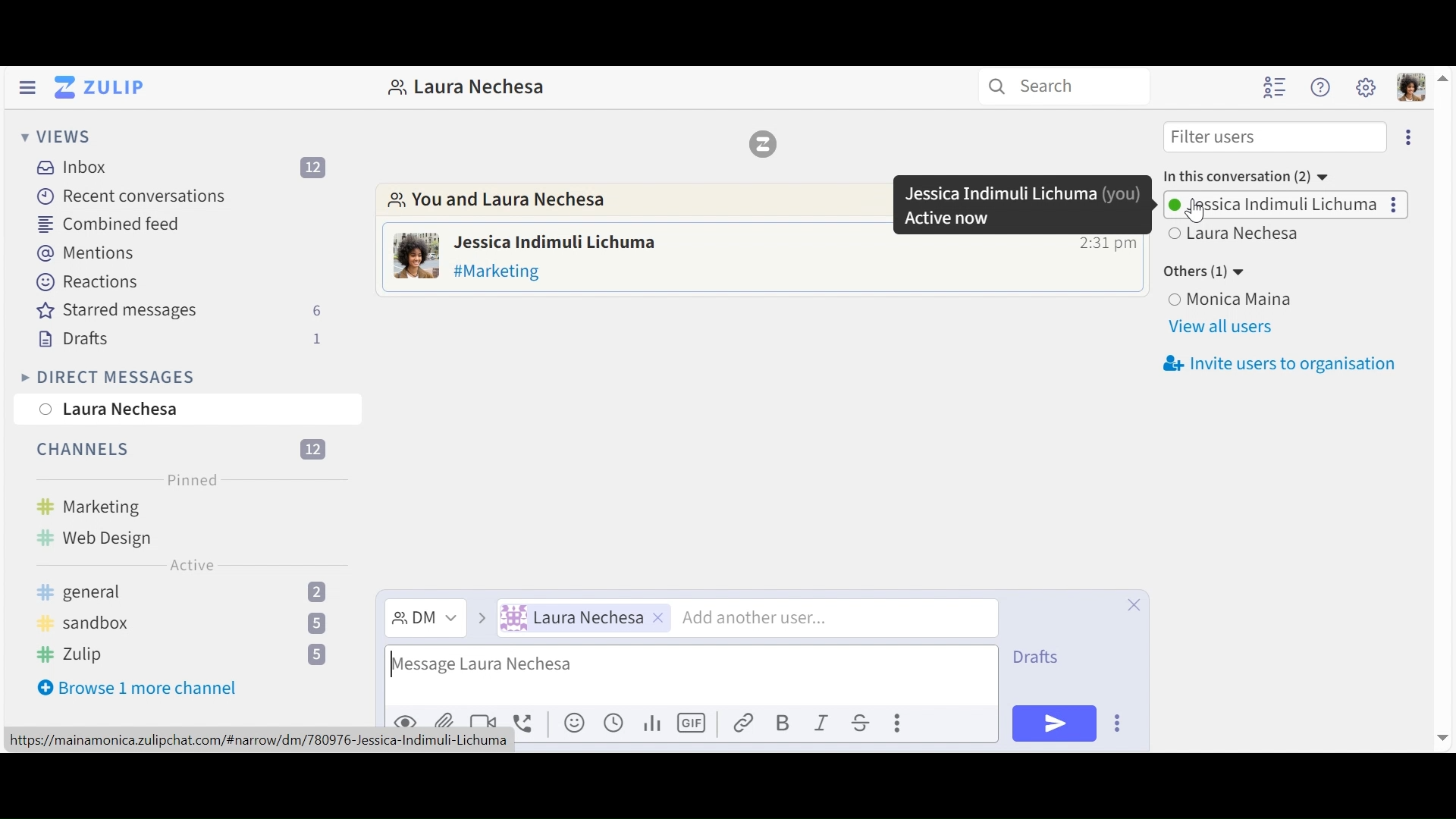  Describe the element at coordinates (527, 722) in the screenshot. I see `Add Voice call` at that location.